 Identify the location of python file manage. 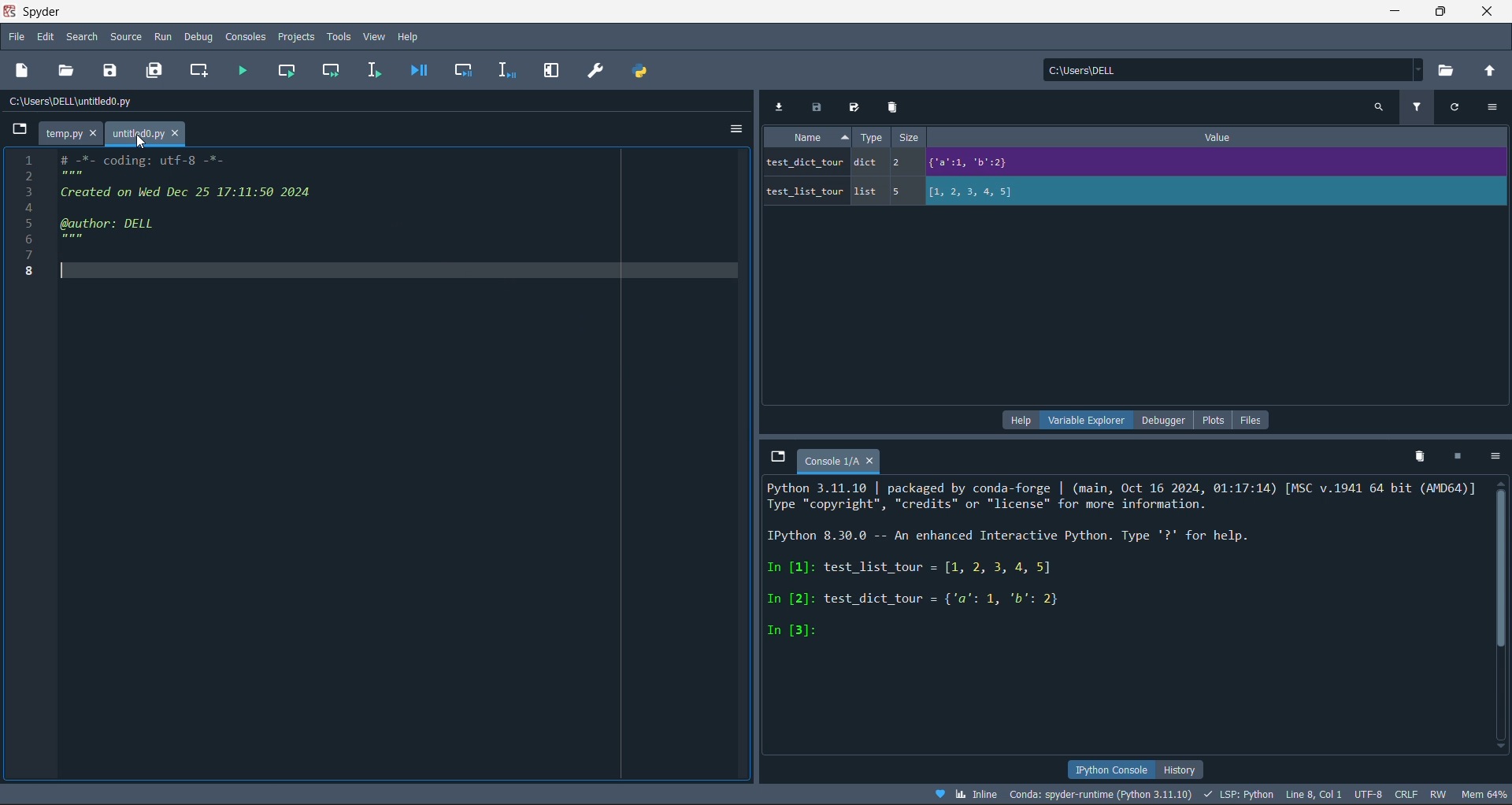
(639, 71).